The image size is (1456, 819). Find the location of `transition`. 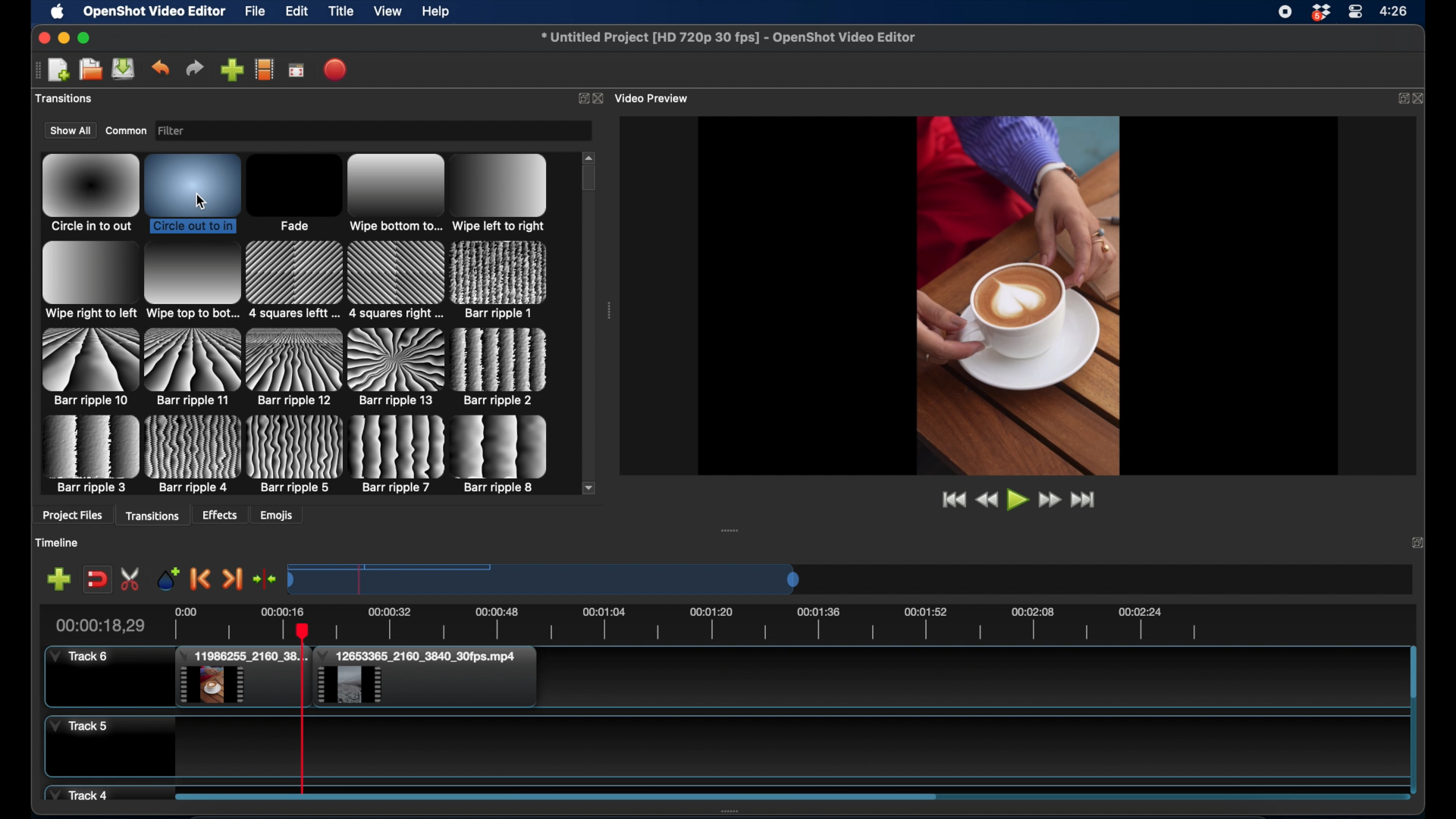

transition is located at coordinates (294, 368).